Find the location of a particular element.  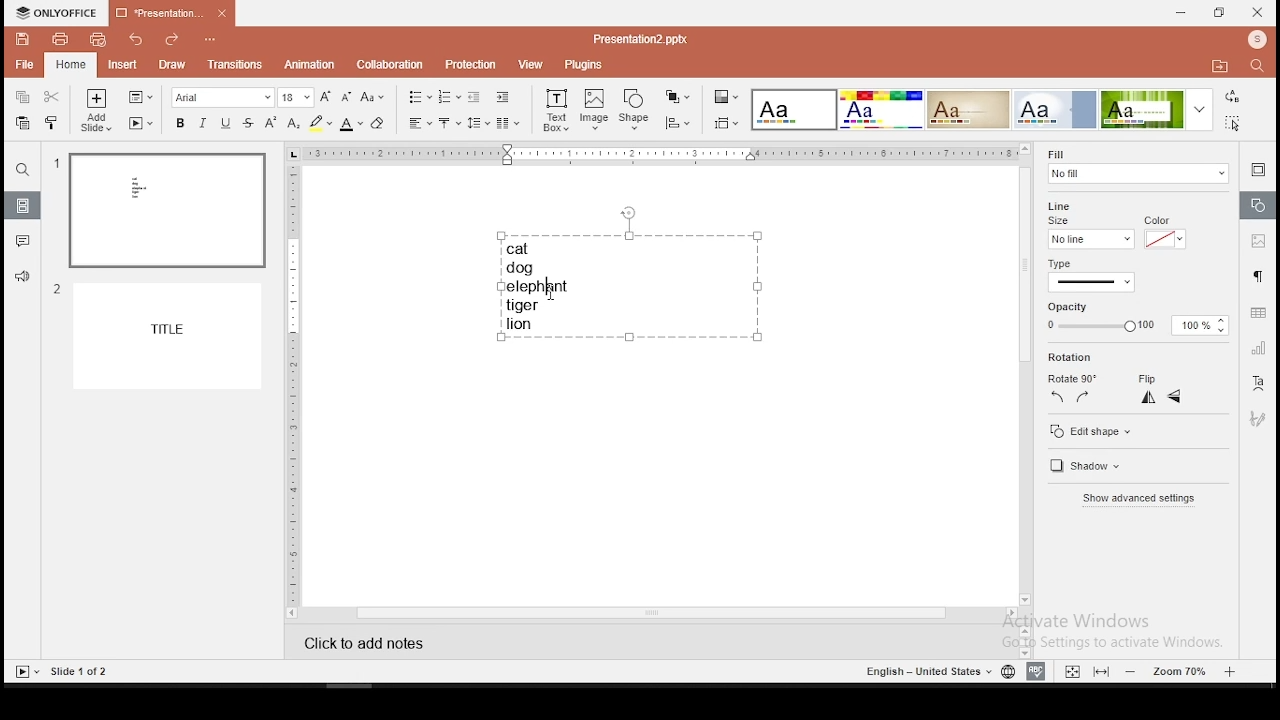

slide 1 is located at coordinates (162, 210).